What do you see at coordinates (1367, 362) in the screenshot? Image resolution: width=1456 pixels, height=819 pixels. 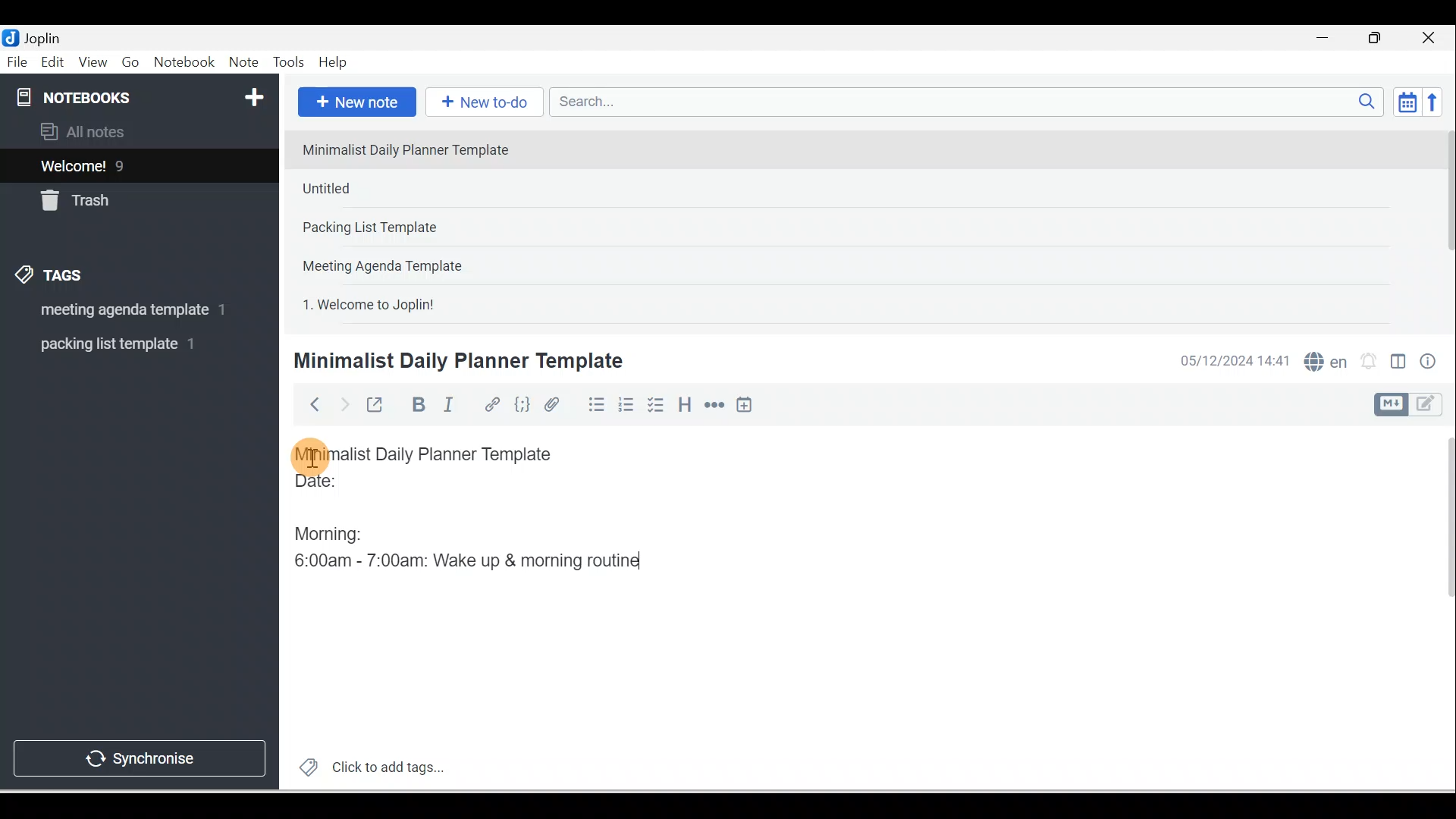 I see `Set alarm` at bounding box center [1367, 362].